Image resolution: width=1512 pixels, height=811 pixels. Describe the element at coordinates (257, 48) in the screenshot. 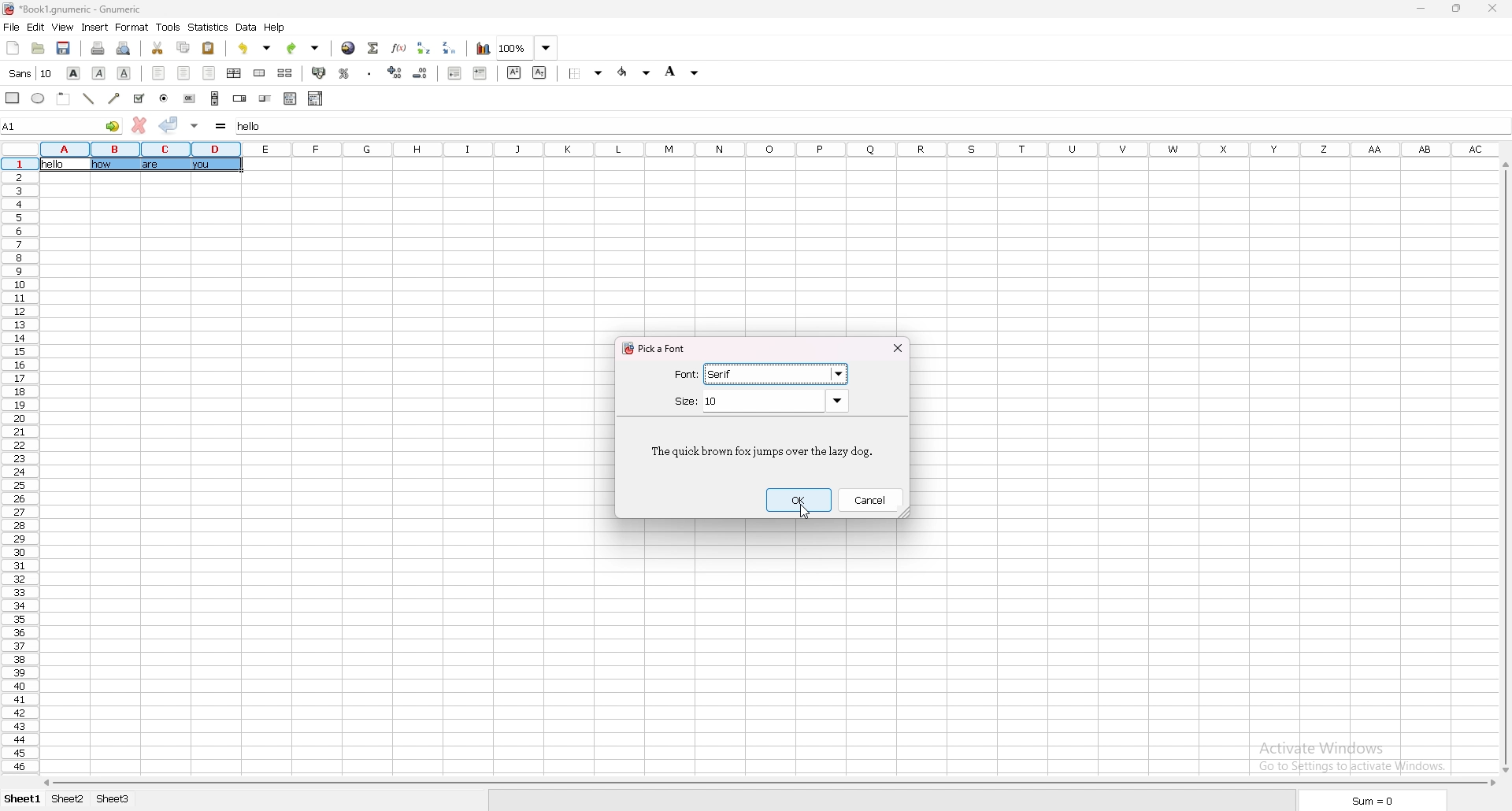

I see `undo` at that location.